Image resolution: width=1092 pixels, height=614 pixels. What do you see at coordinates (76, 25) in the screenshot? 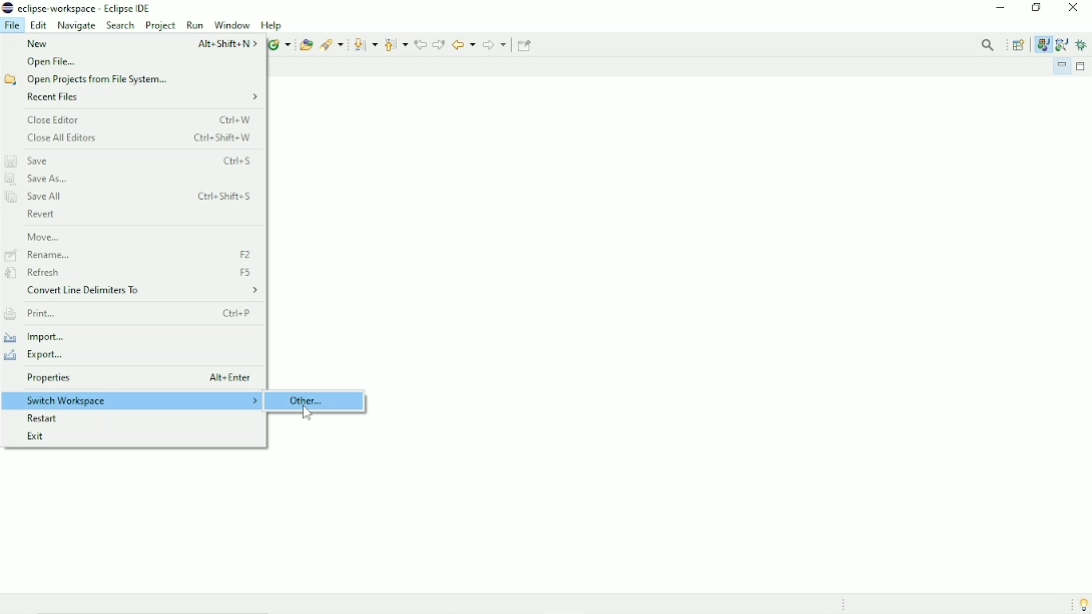
I see `Navigate` at bounding box center [76, 25].